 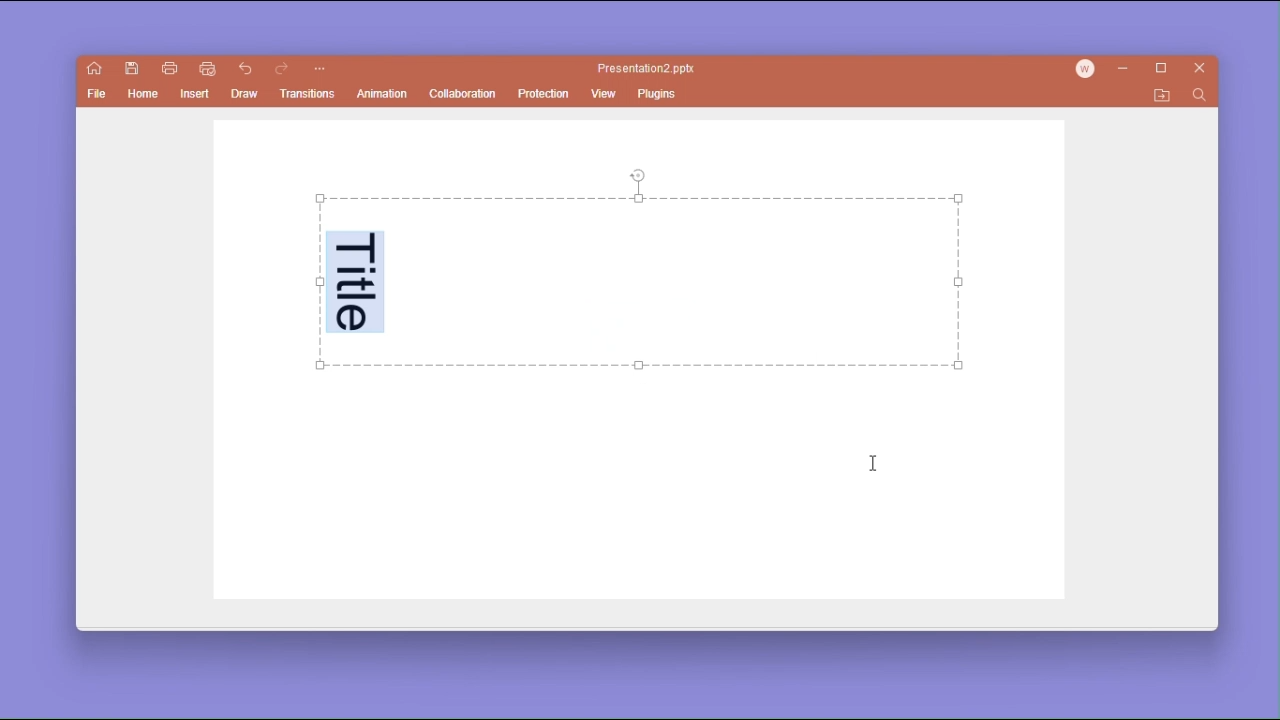 What do you see at coordinates (544, 93) in the screenshot?
I see `protection` at bounding box center [544, 93].